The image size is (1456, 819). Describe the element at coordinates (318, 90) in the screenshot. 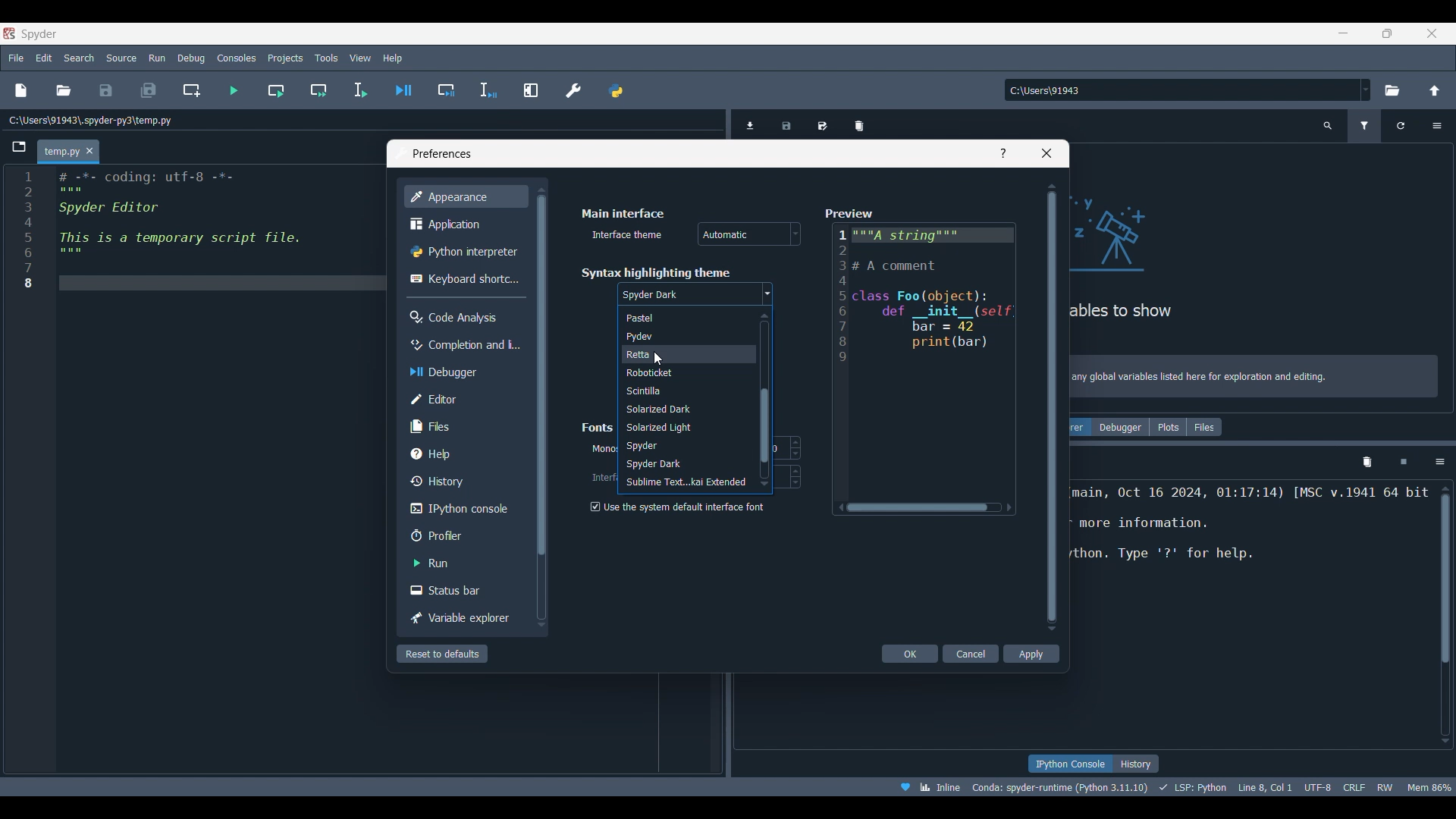

I see `Run current cell and go to the next one` at that location.